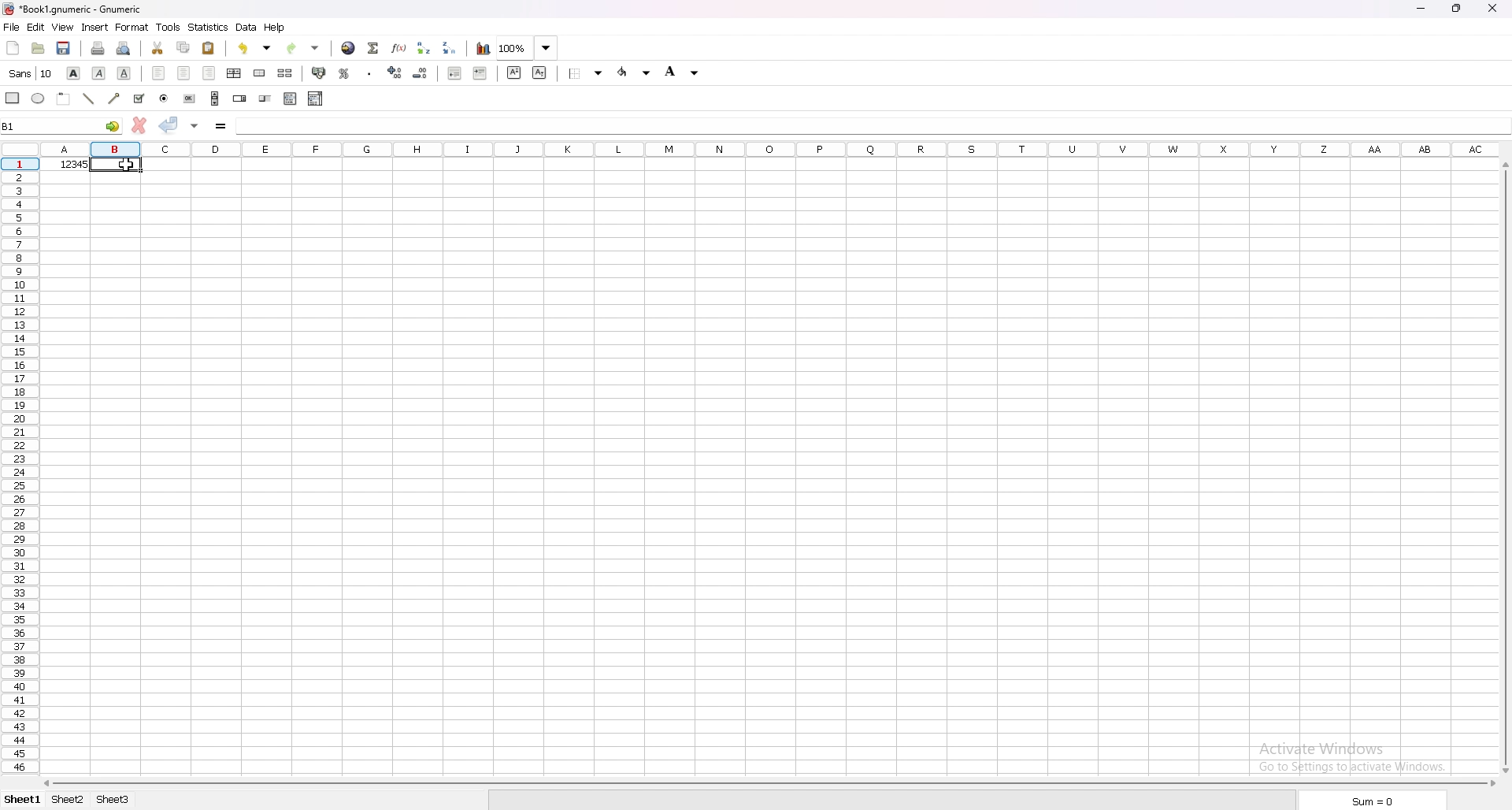 The image size is (1512, 810). I want to click on format, so click(132, 28).